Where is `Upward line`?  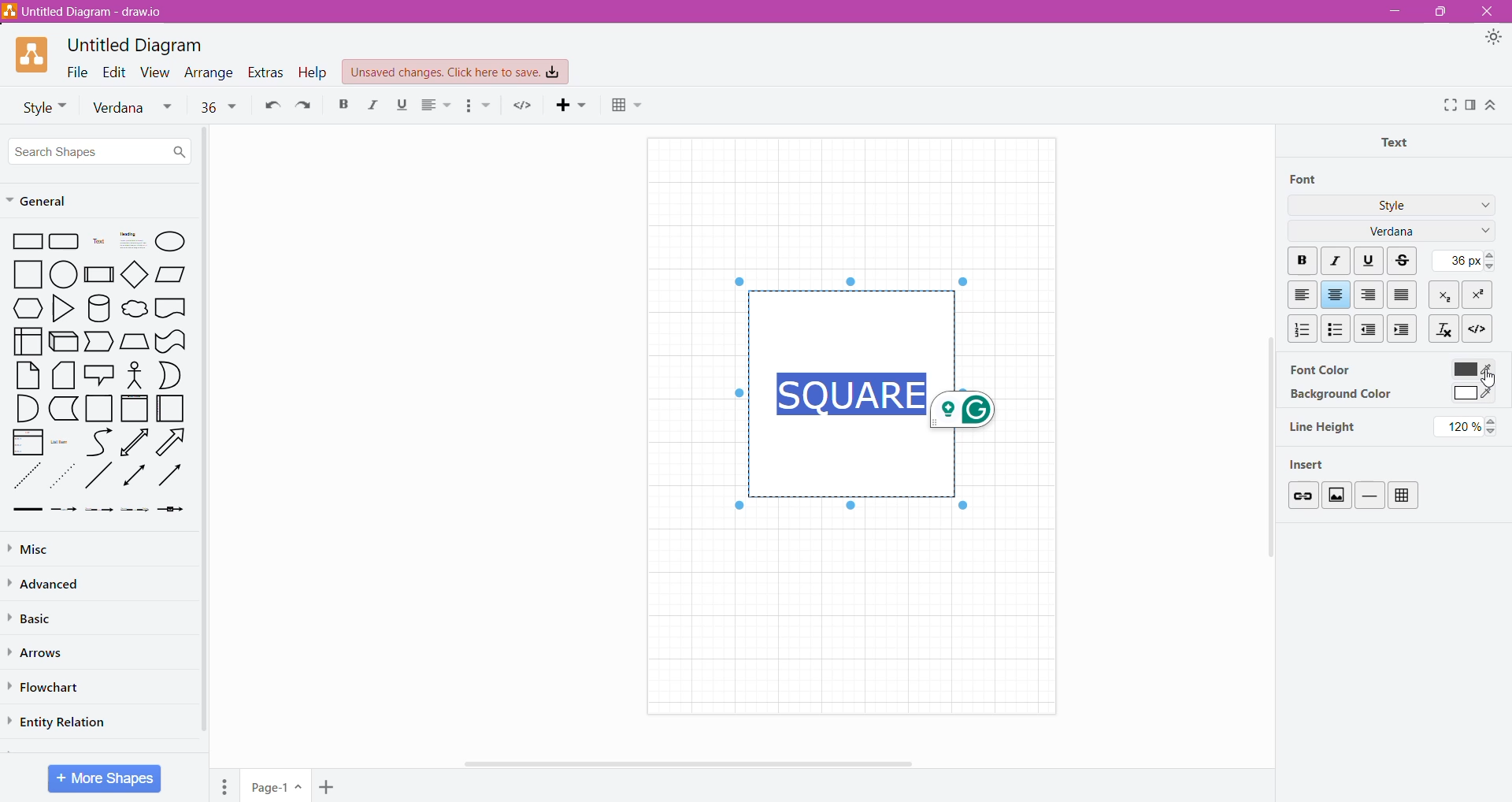 Upward line is located at coordinates (134, 442).